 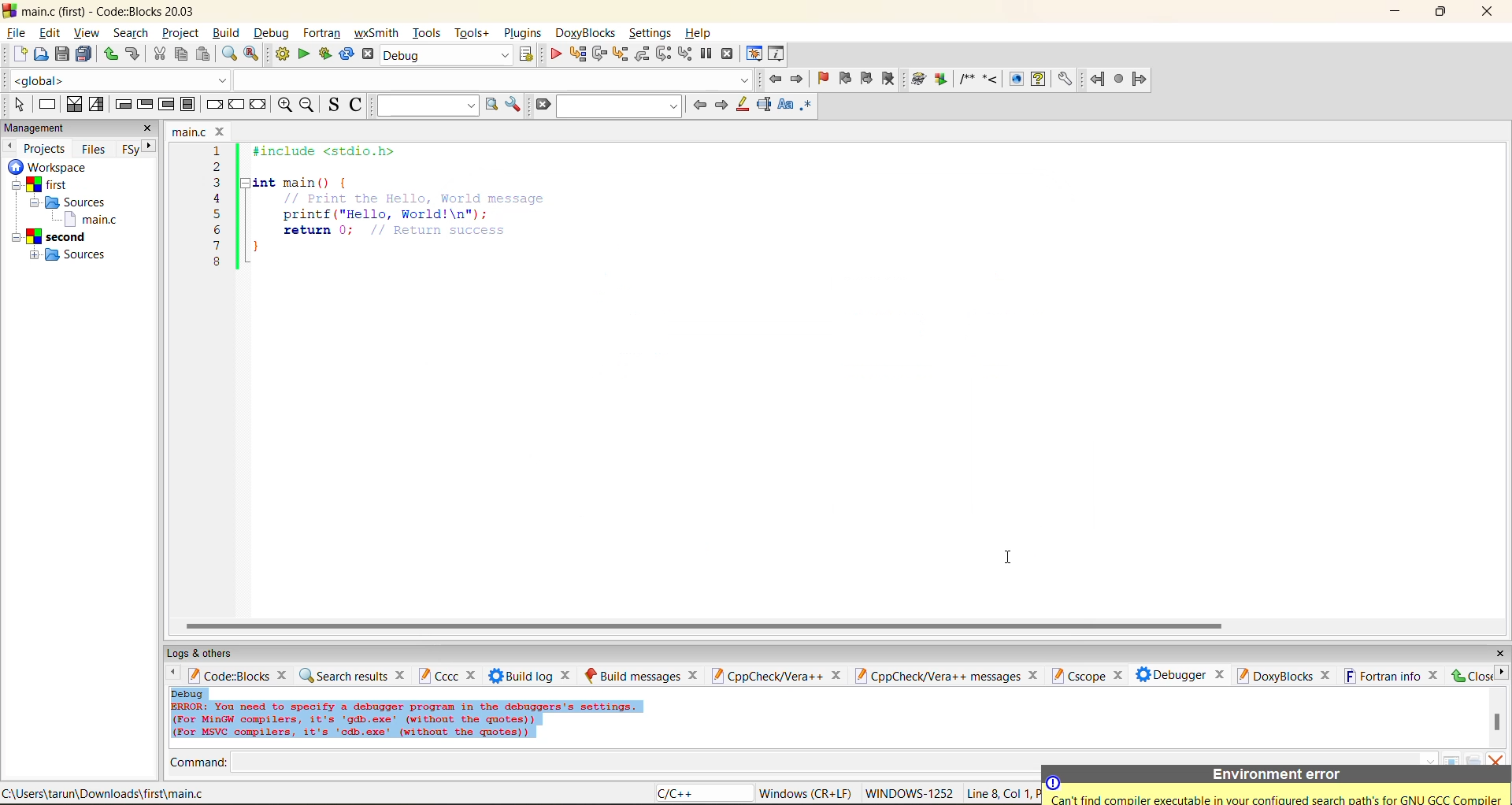 I want to click on tools, so click(x=428, y=32).